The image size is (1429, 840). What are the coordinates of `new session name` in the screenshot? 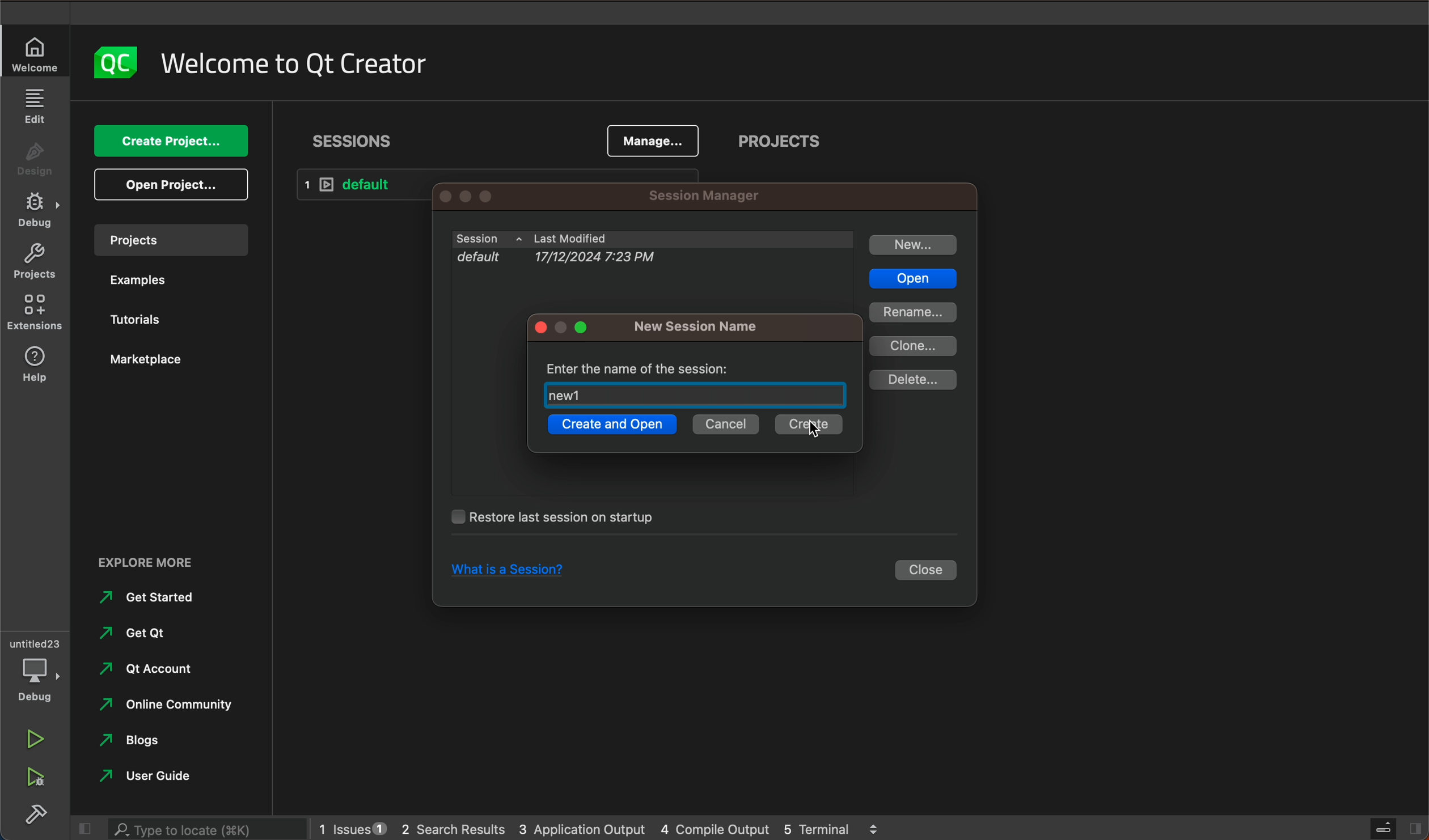 It's located at (700, 326).